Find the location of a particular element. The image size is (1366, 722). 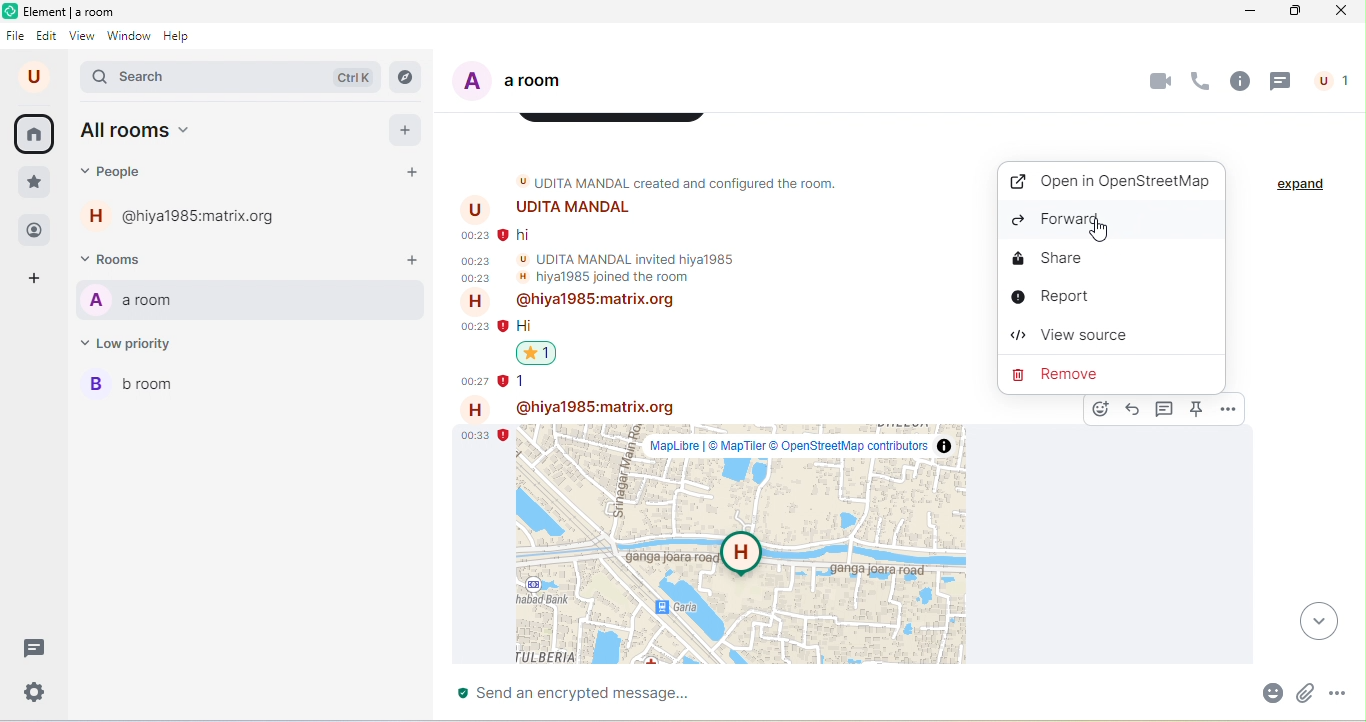

favorite is located at coordinates (33, 183).